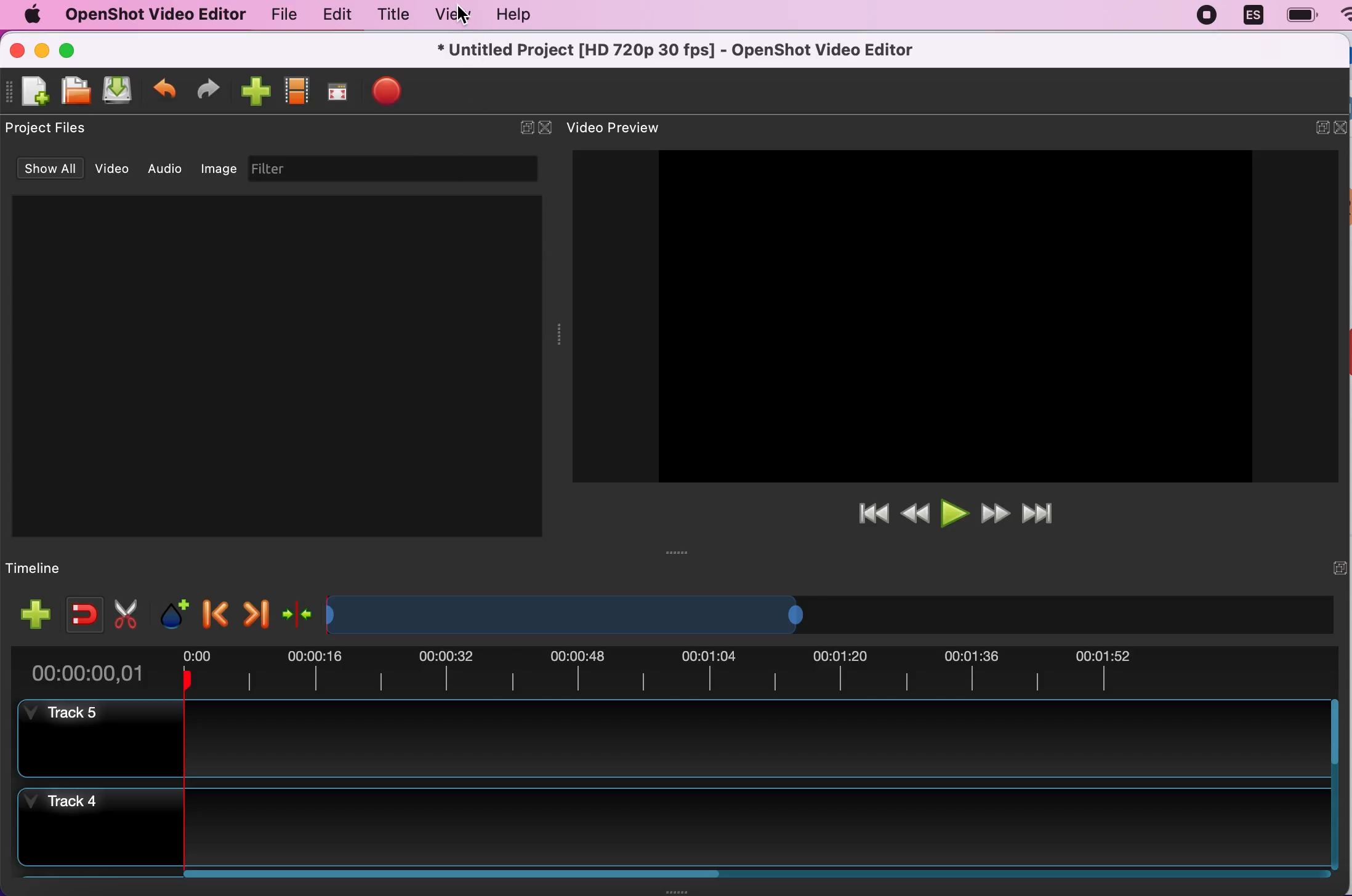 The width and height of the screenshot is (1352, 896). I want to click on play, so click(956, 511).